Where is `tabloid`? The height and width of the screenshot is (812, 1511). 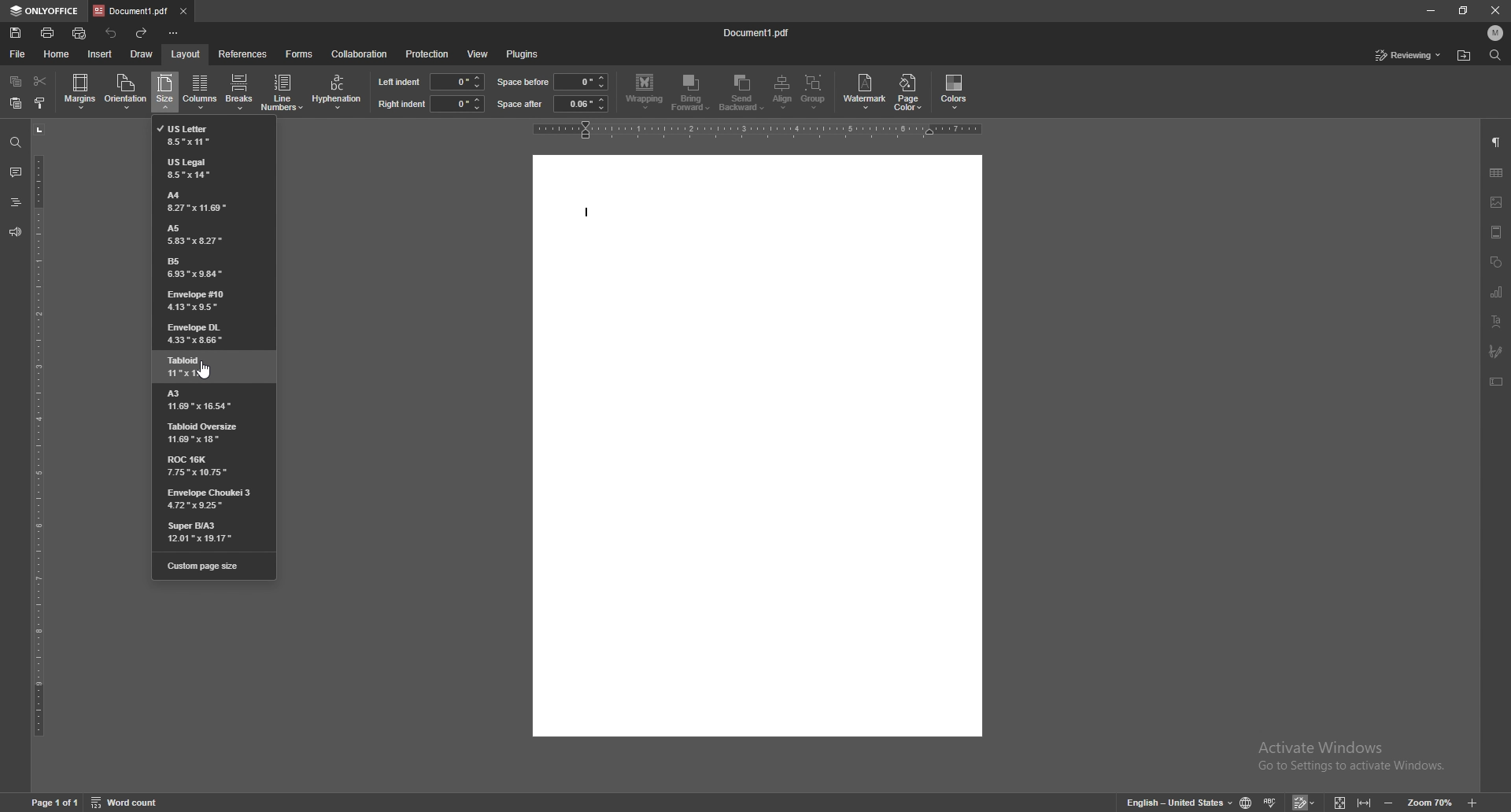 tabloid is located at coordinates (210, 368).